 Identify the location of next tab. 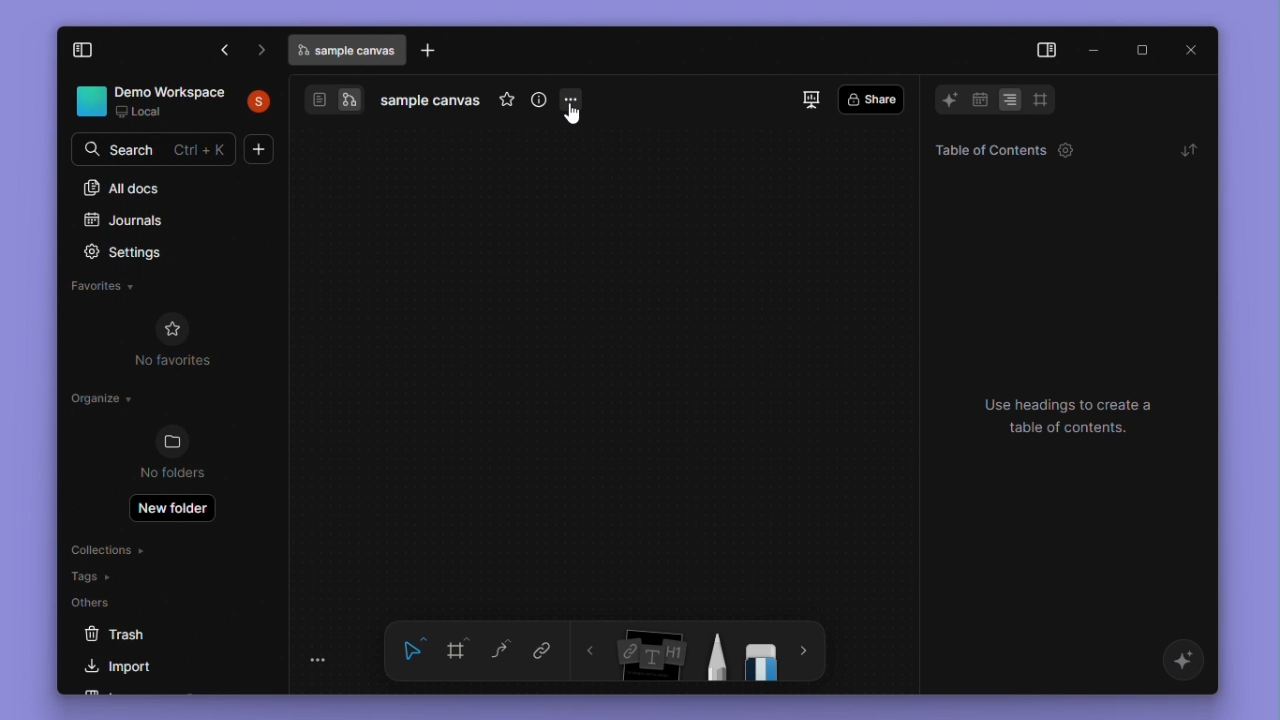
(262, 50).